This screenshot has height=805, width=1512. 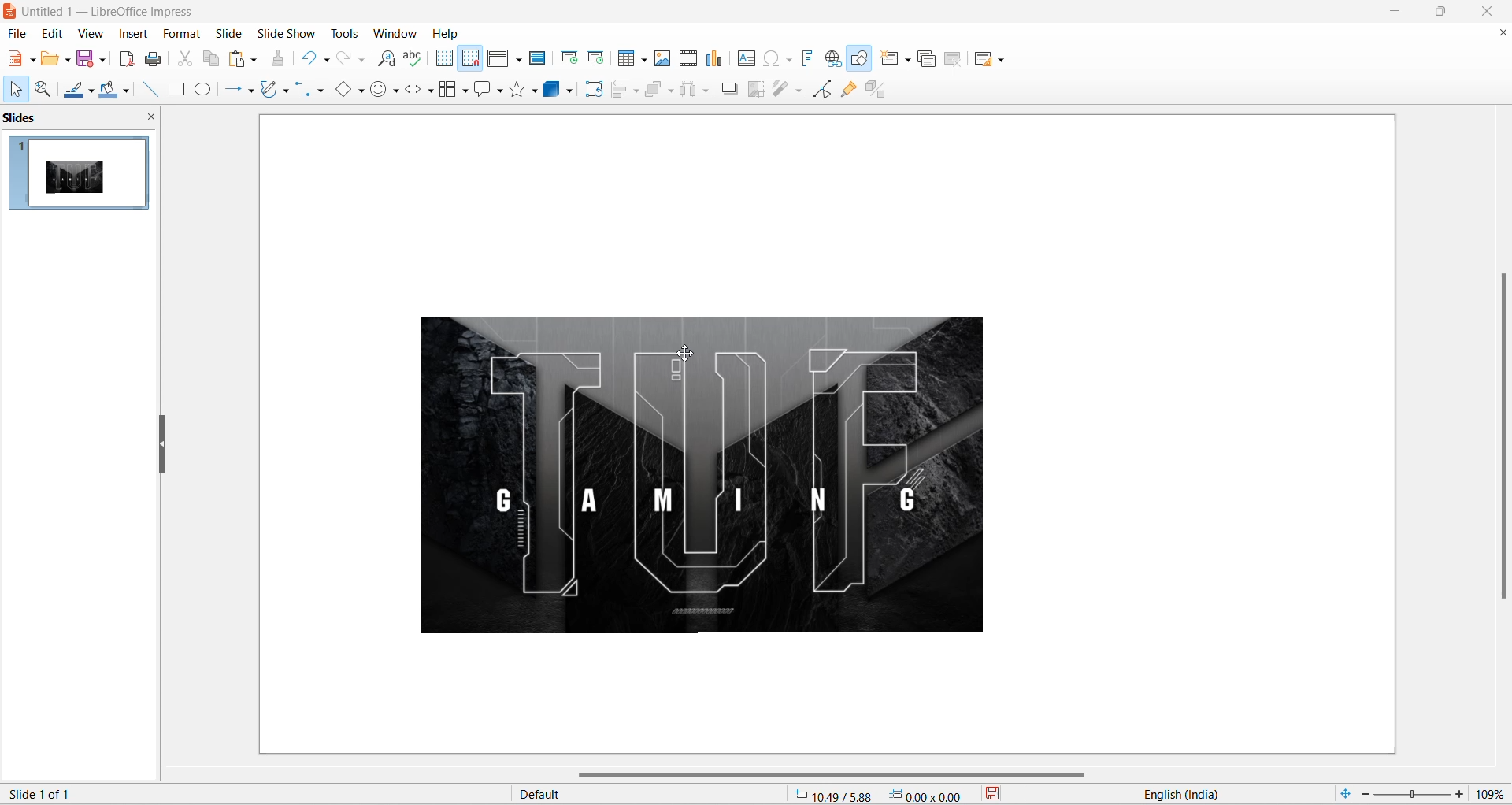 What do you see at coordinates (825, 88) in the screenshot?
I see `toggle edit mode icon` at bounding box center [825, 88].